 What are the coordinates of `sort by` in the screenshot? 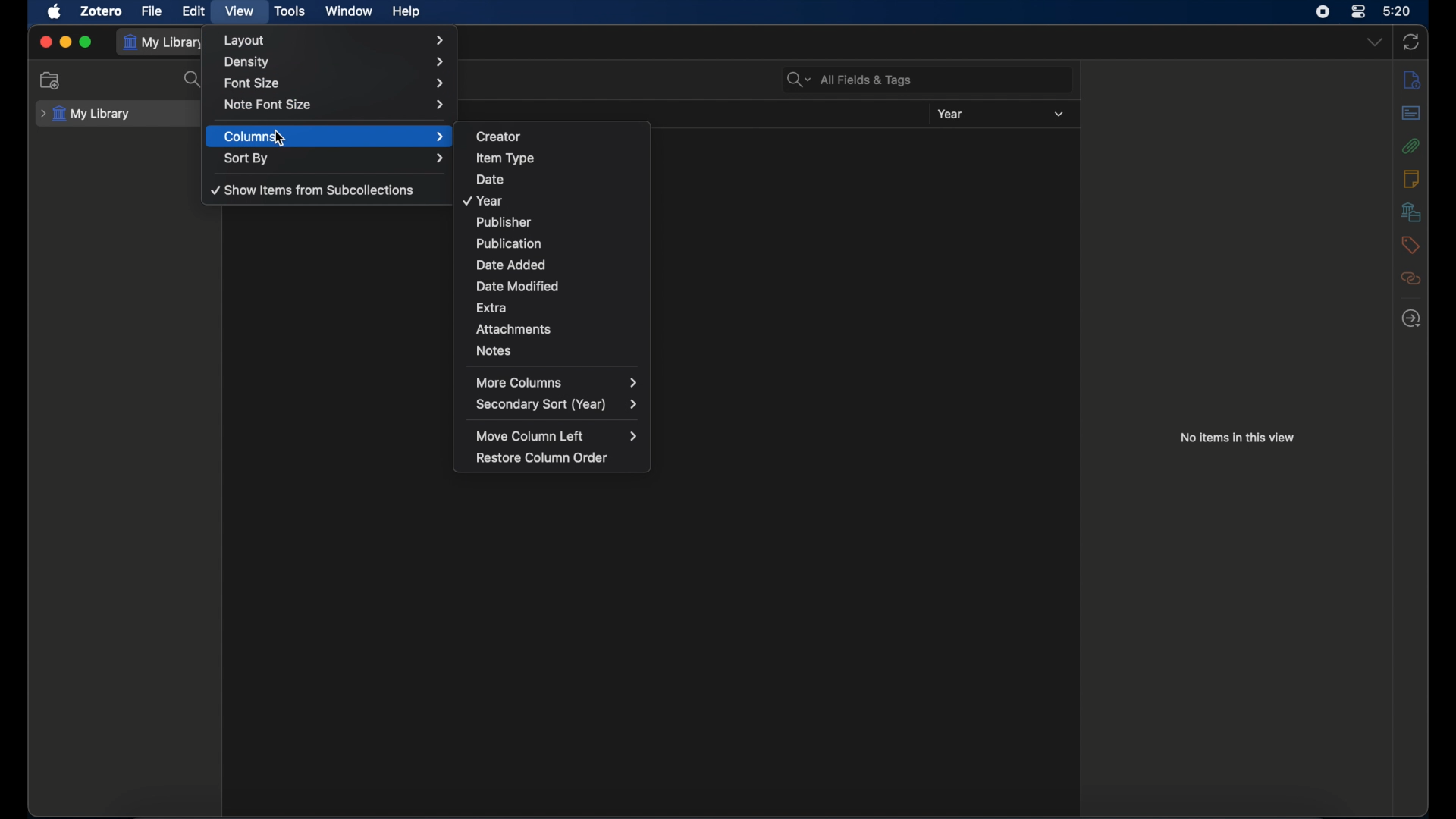 It's located at (335, 158).